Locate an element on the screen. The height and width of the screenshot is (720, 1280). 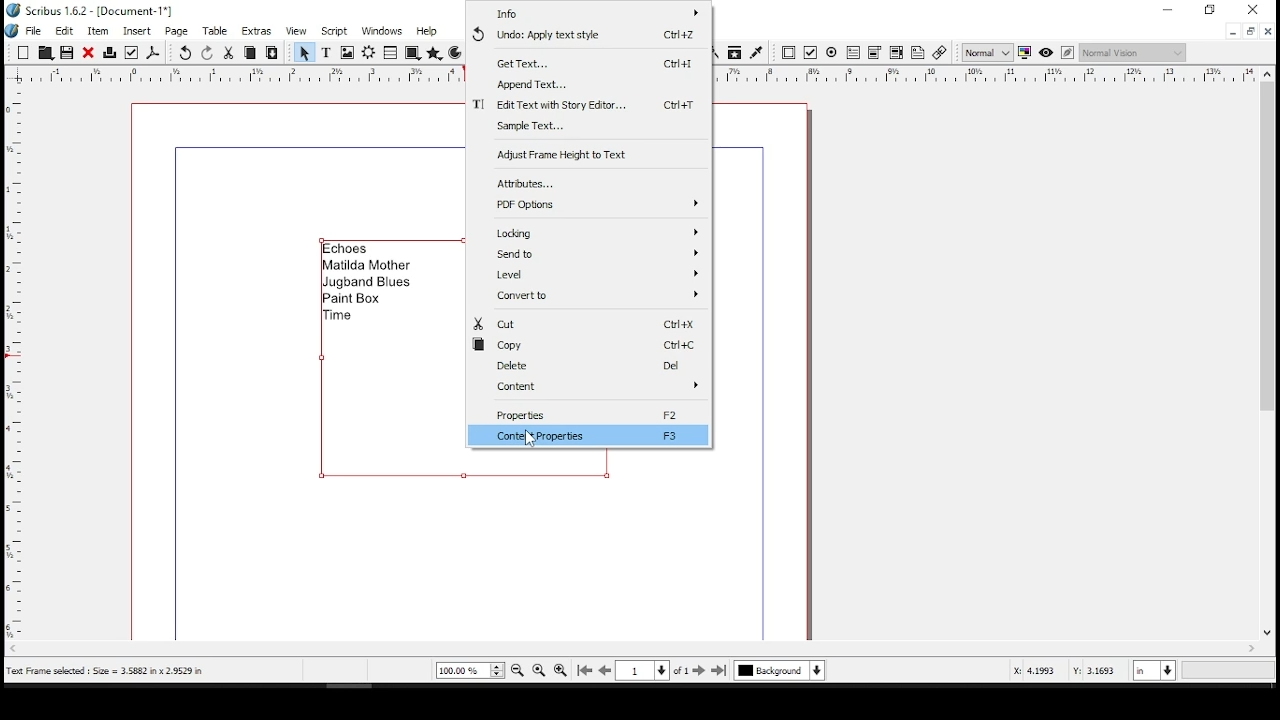
content is located at coordinates (591, 387).